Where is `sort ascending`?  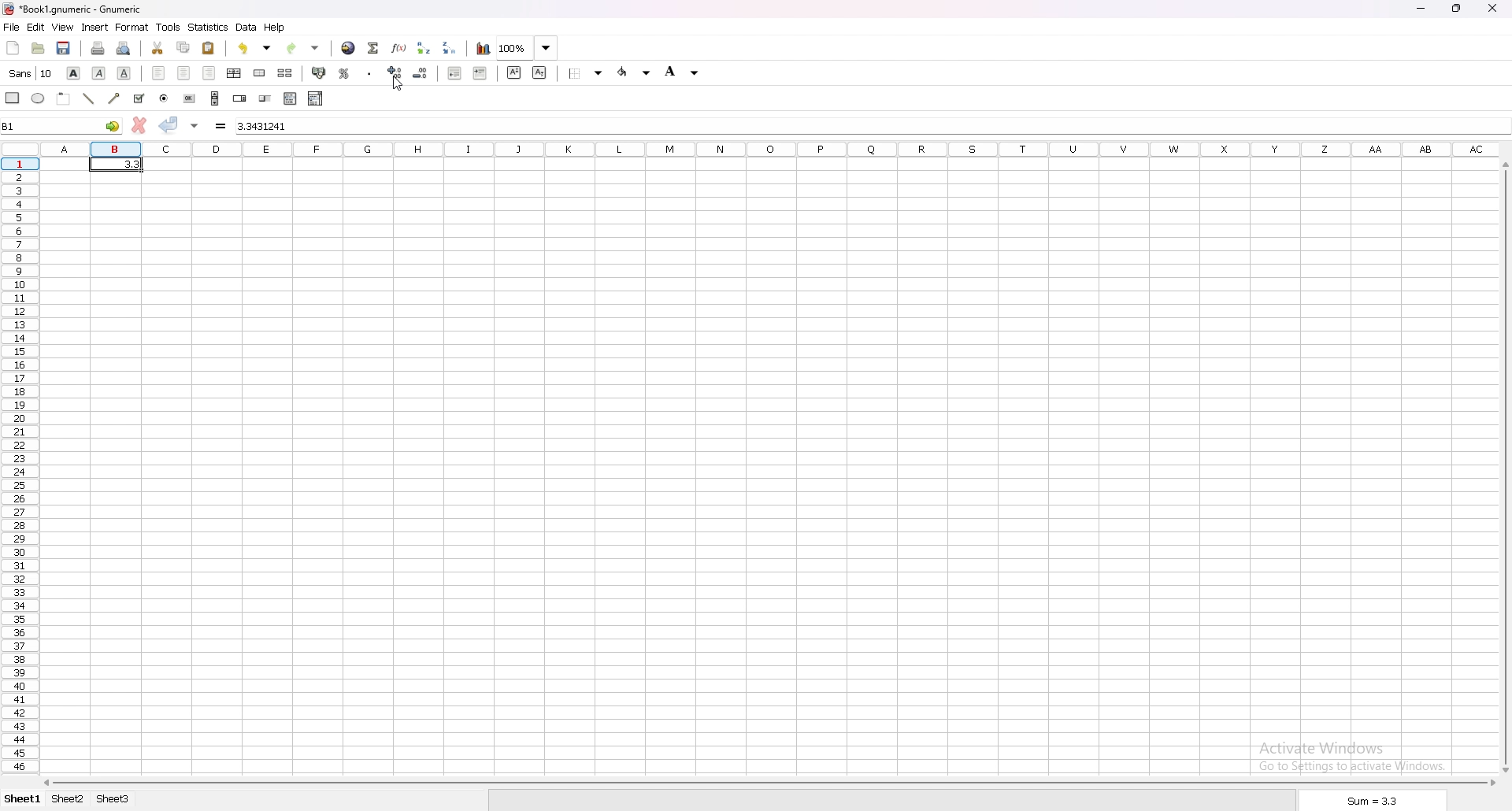 sort ascending is located at coordinates (424, 48).